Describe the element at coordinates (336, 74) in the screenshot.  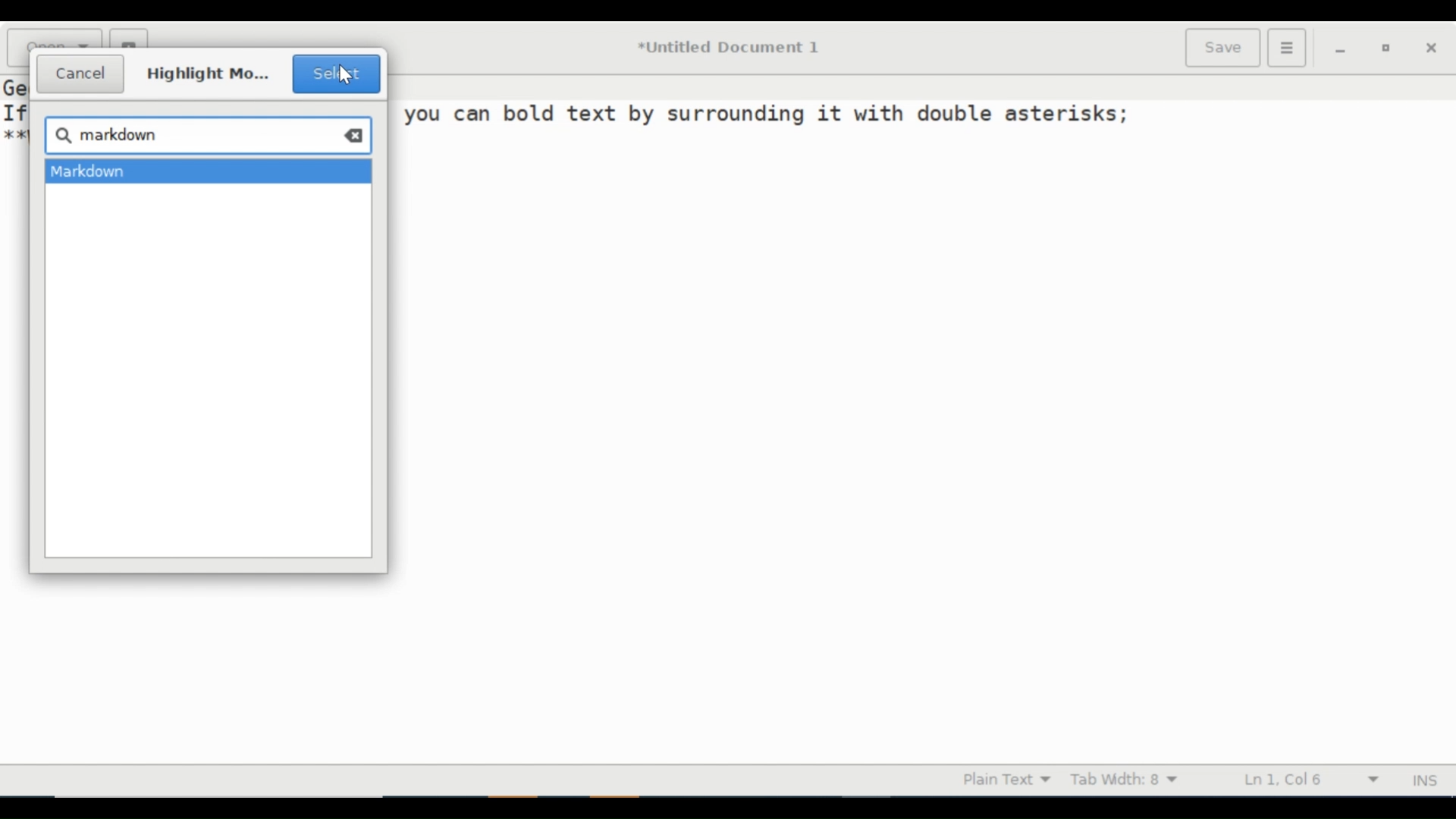
I see `Select` at that location.